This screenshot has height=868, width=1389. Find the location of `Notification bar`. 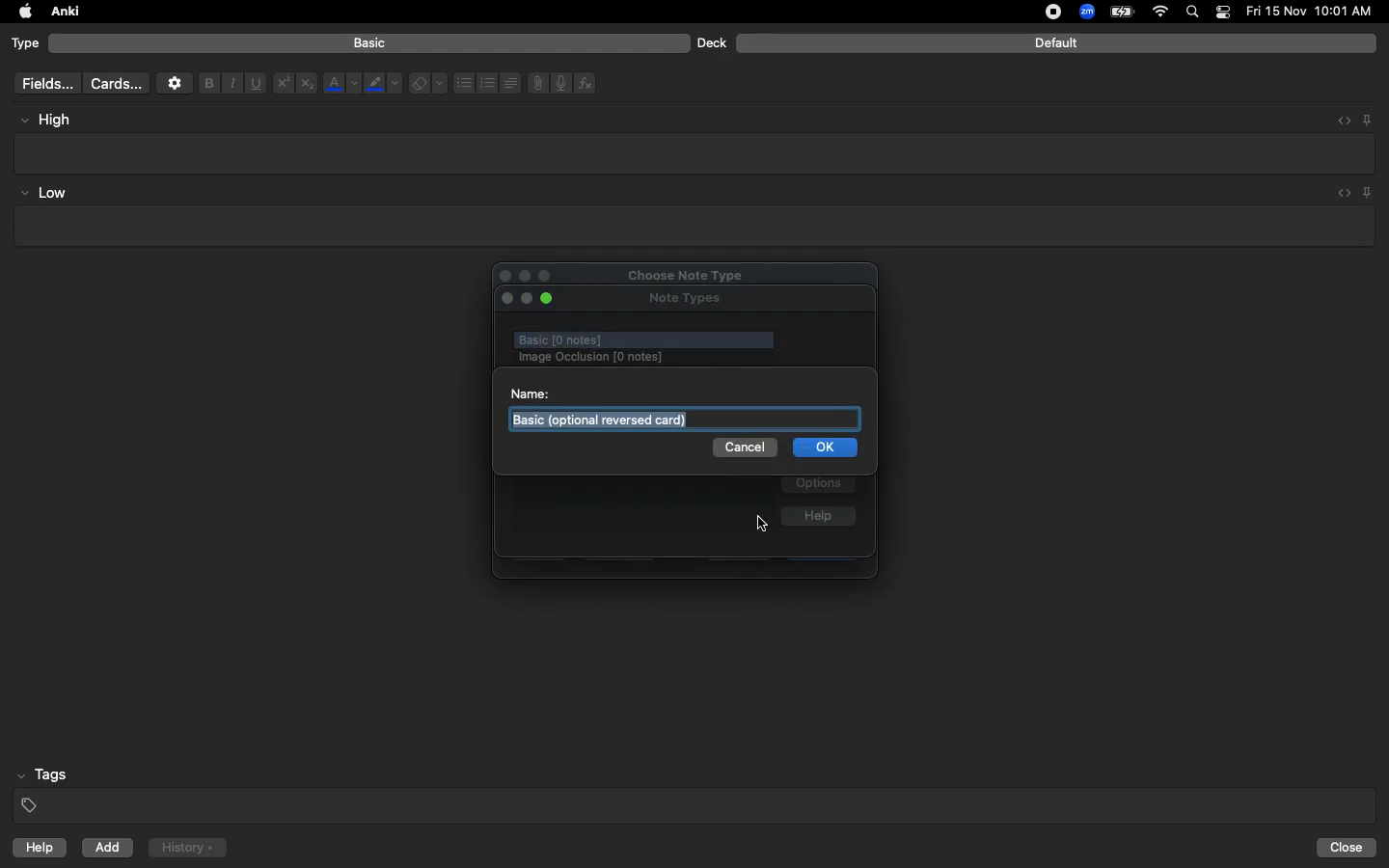

Notification bar is located at coordinates (1223, 13).